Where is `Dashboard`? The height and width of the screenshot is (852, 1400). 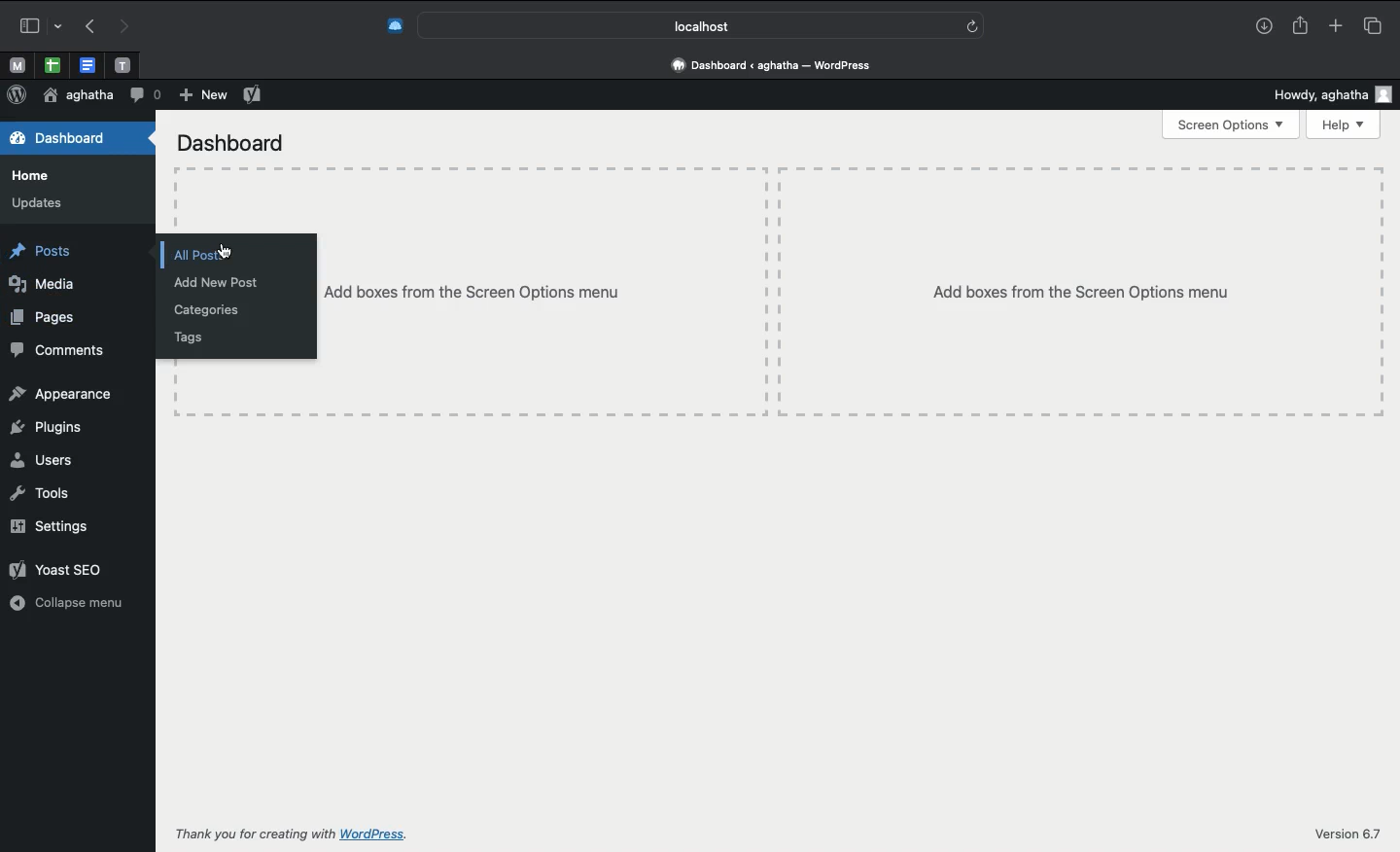 Dashboard is located at coordinates (69, 141).